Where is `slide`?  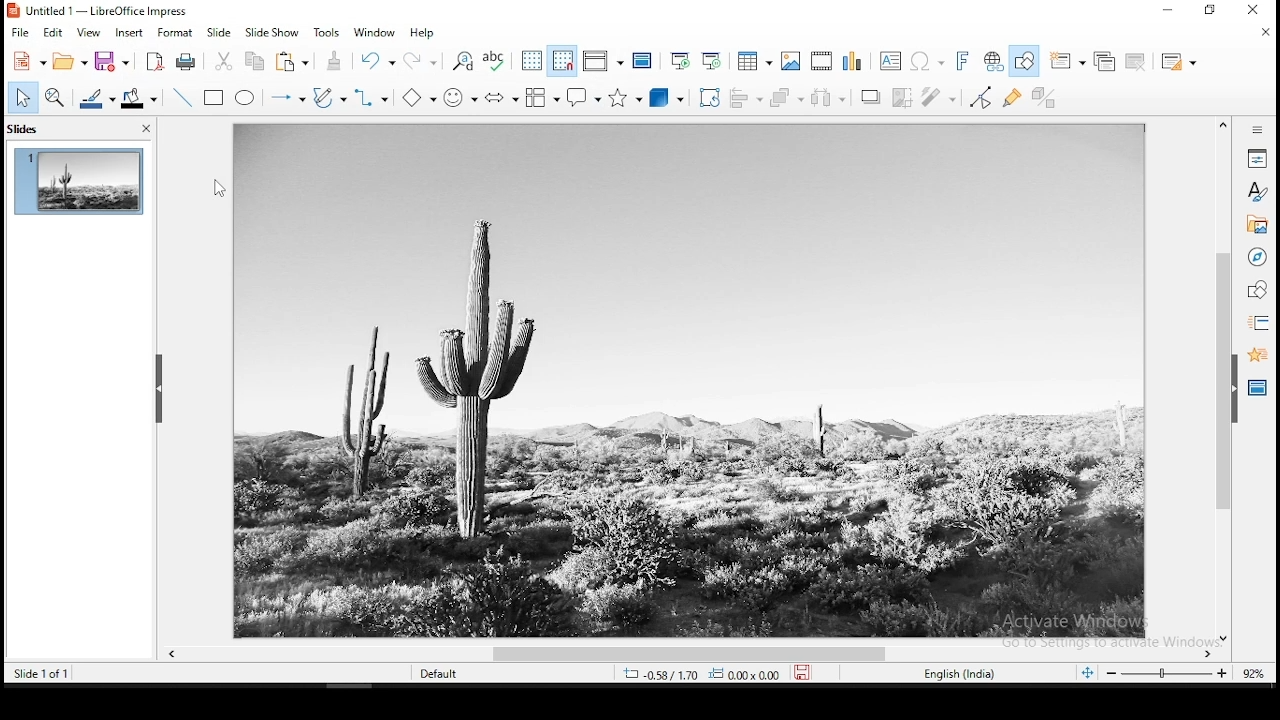
slide is located at coordinates (78, 181).